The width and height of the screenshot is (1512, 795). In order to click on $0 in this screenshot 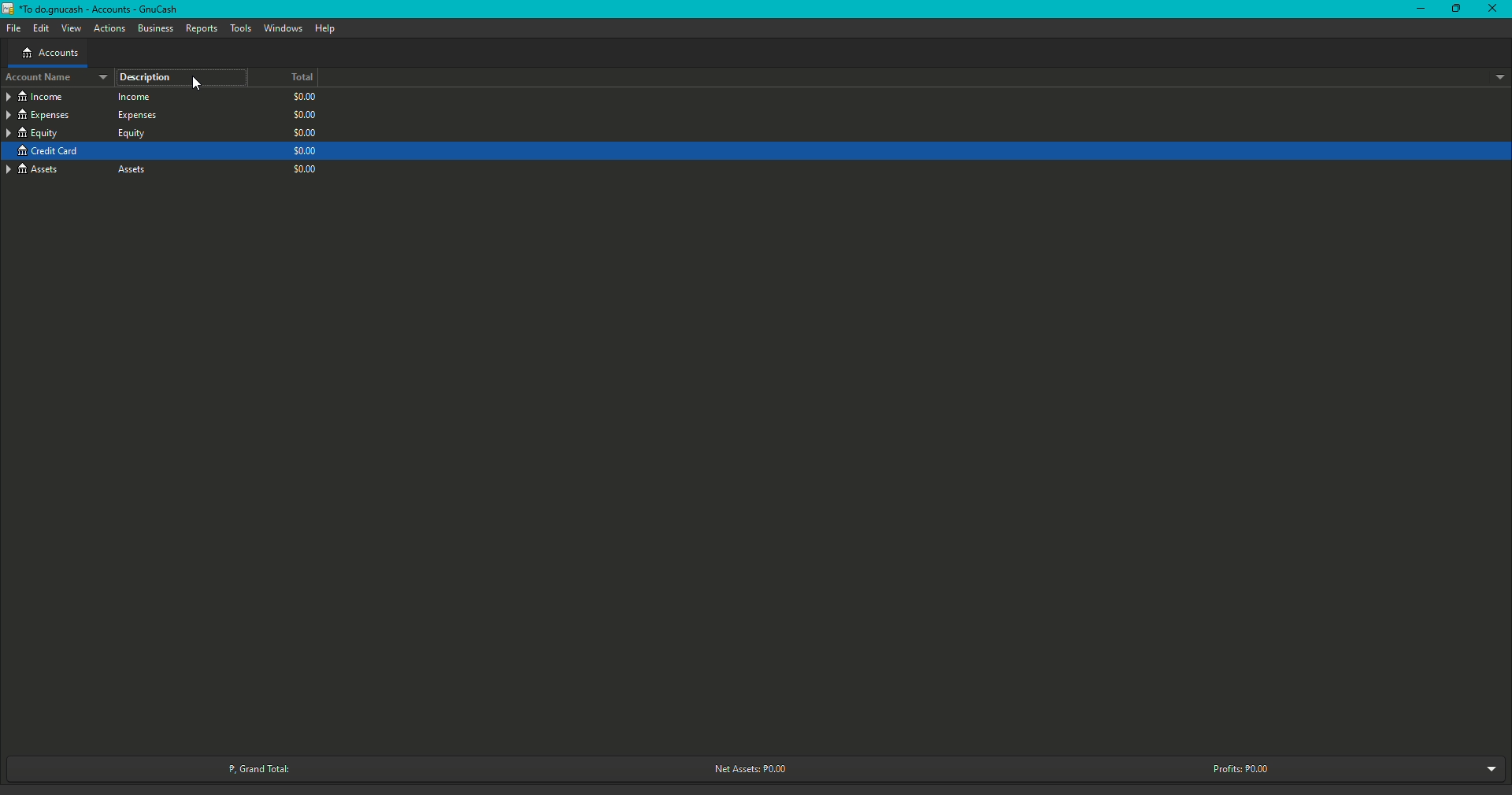, I will do `click(298, 135)`.